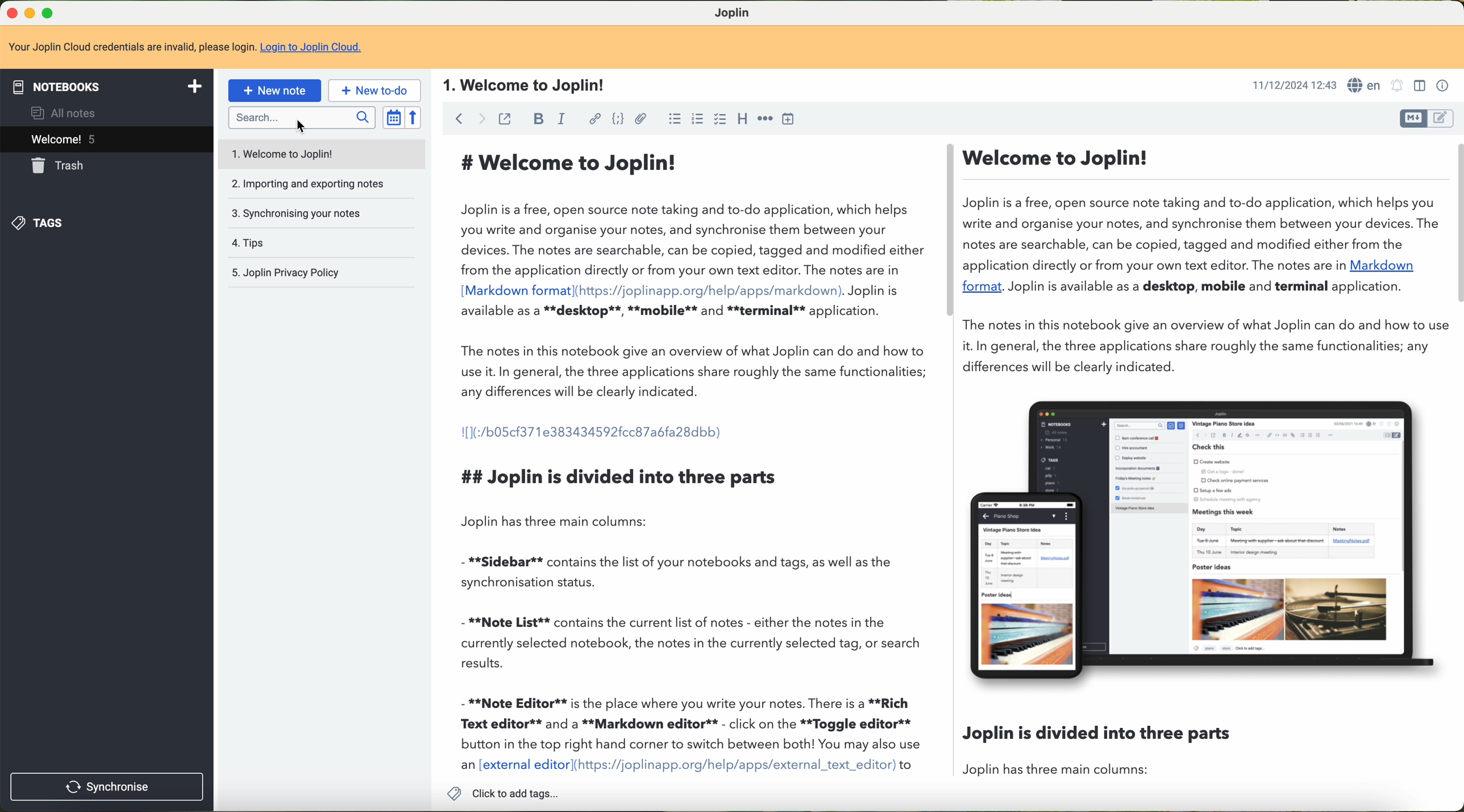  I want to click on new to-do, so click(374, 91).